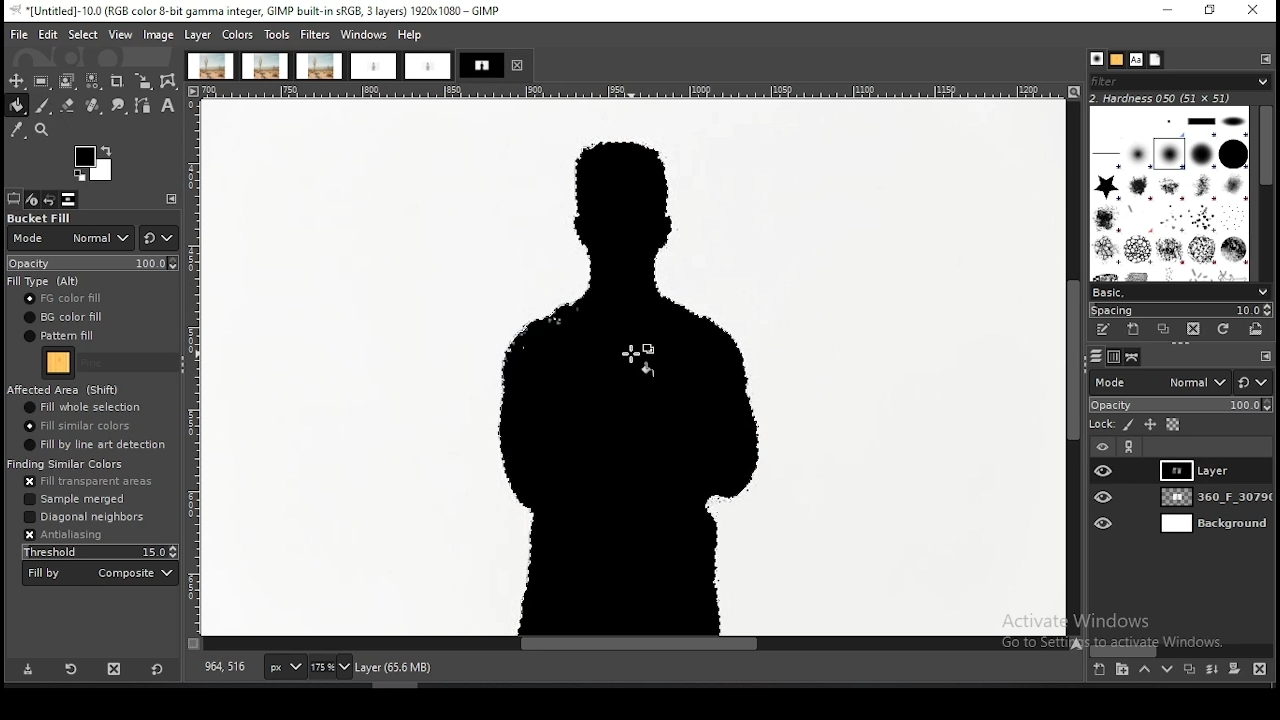  Describe the element at coordinates (626, 387) in the screenshot. I see `selected region` at that location.